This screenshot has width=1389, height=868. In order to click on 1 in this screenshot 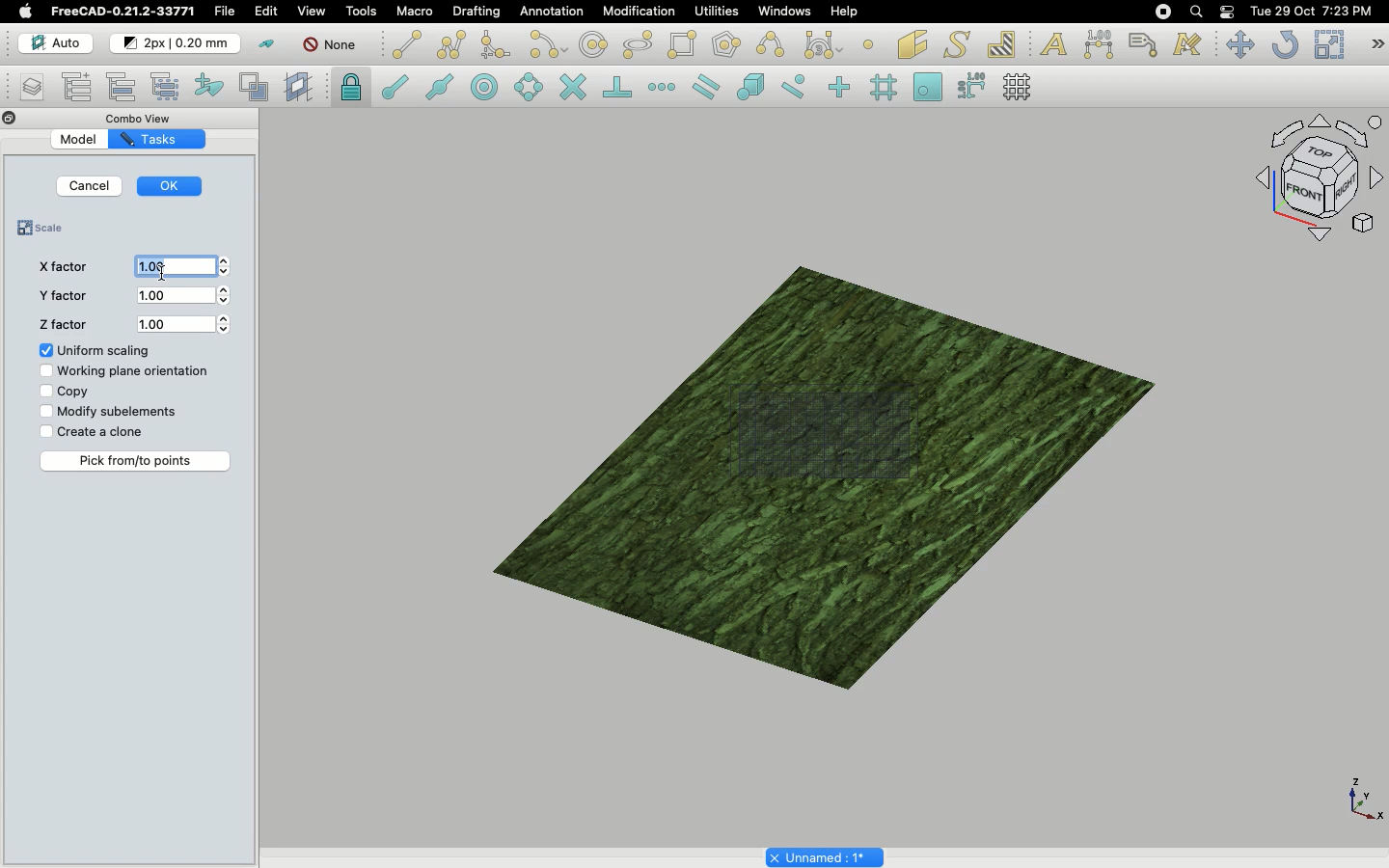, I will do `click(184, 323)`.